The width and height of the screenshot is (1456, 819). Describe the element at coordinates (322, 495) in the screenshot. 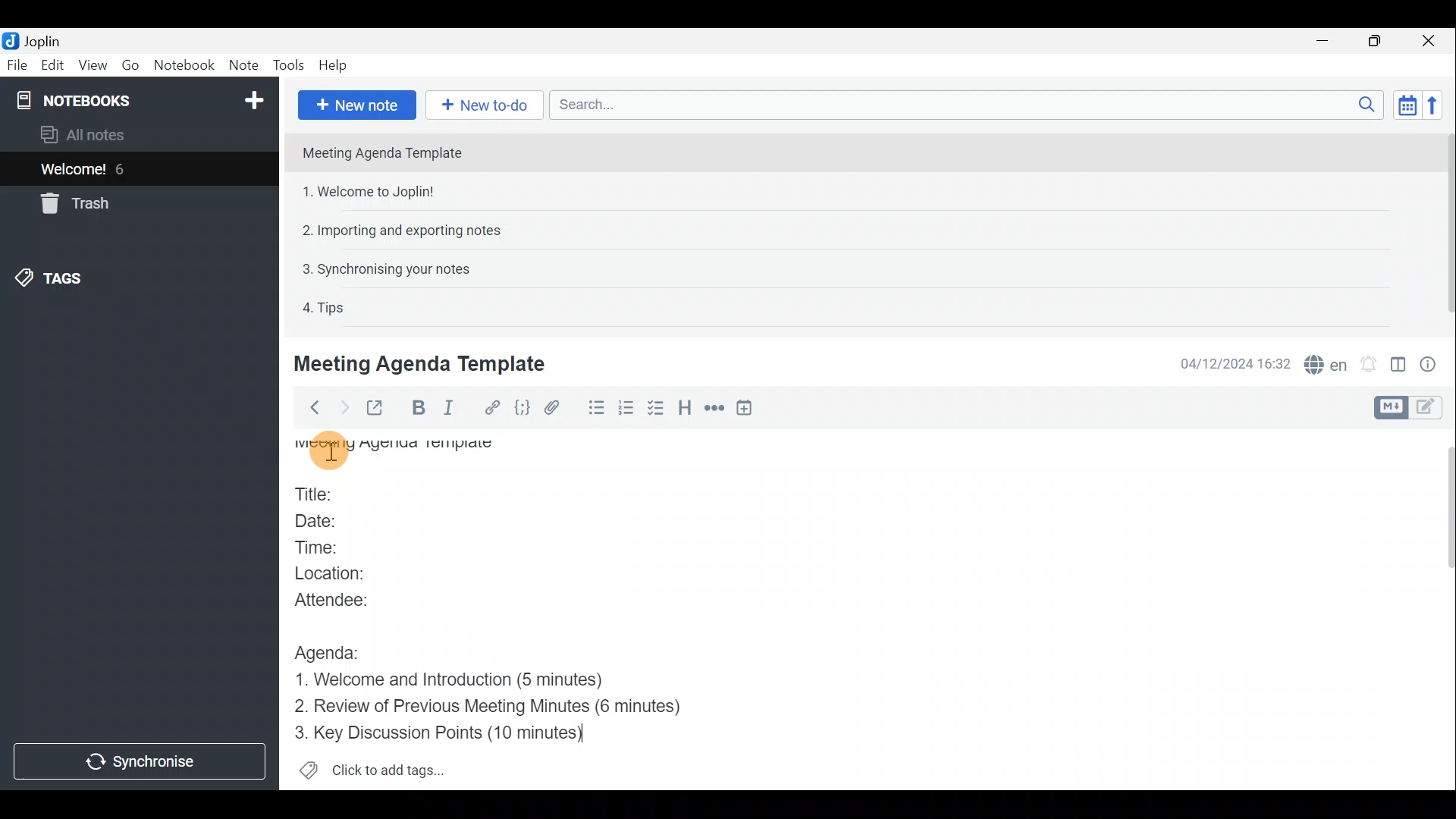

I see `Title:` at that location.